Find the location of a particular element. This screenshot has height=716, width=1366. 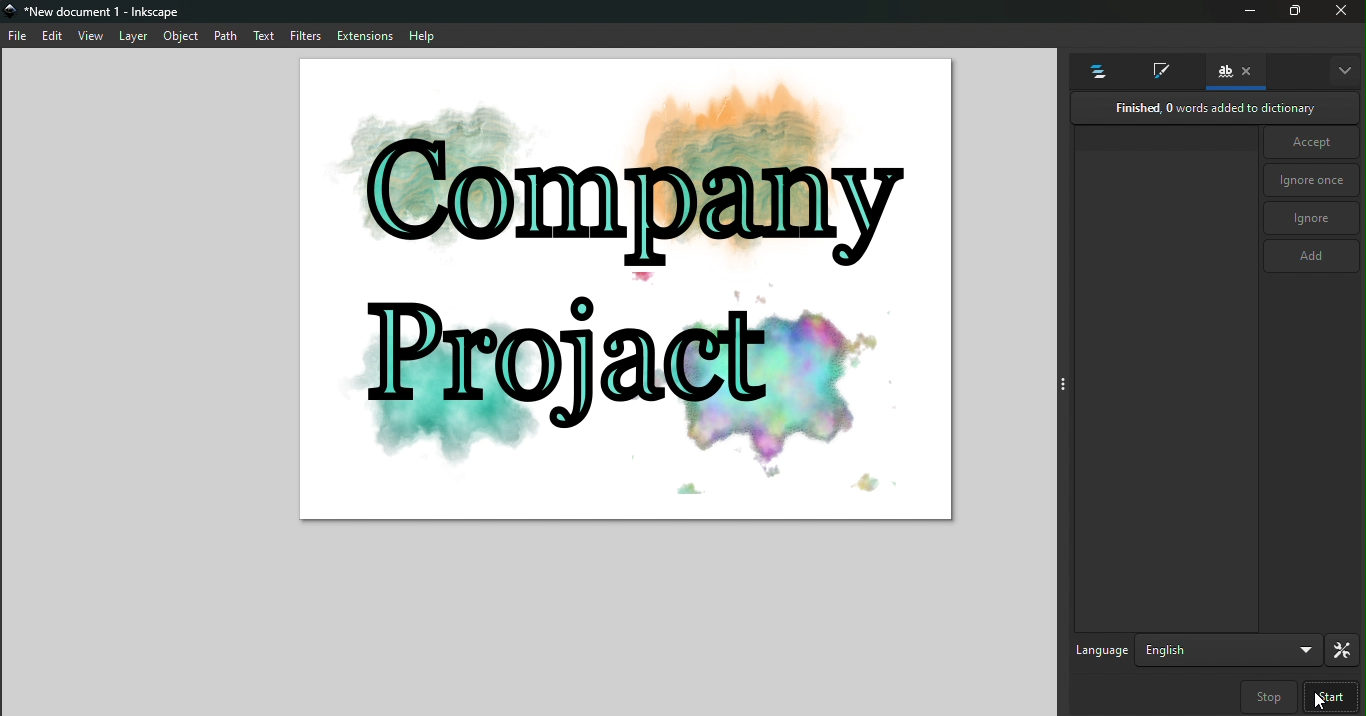

Preferences is located at coordinates (1345, 649).